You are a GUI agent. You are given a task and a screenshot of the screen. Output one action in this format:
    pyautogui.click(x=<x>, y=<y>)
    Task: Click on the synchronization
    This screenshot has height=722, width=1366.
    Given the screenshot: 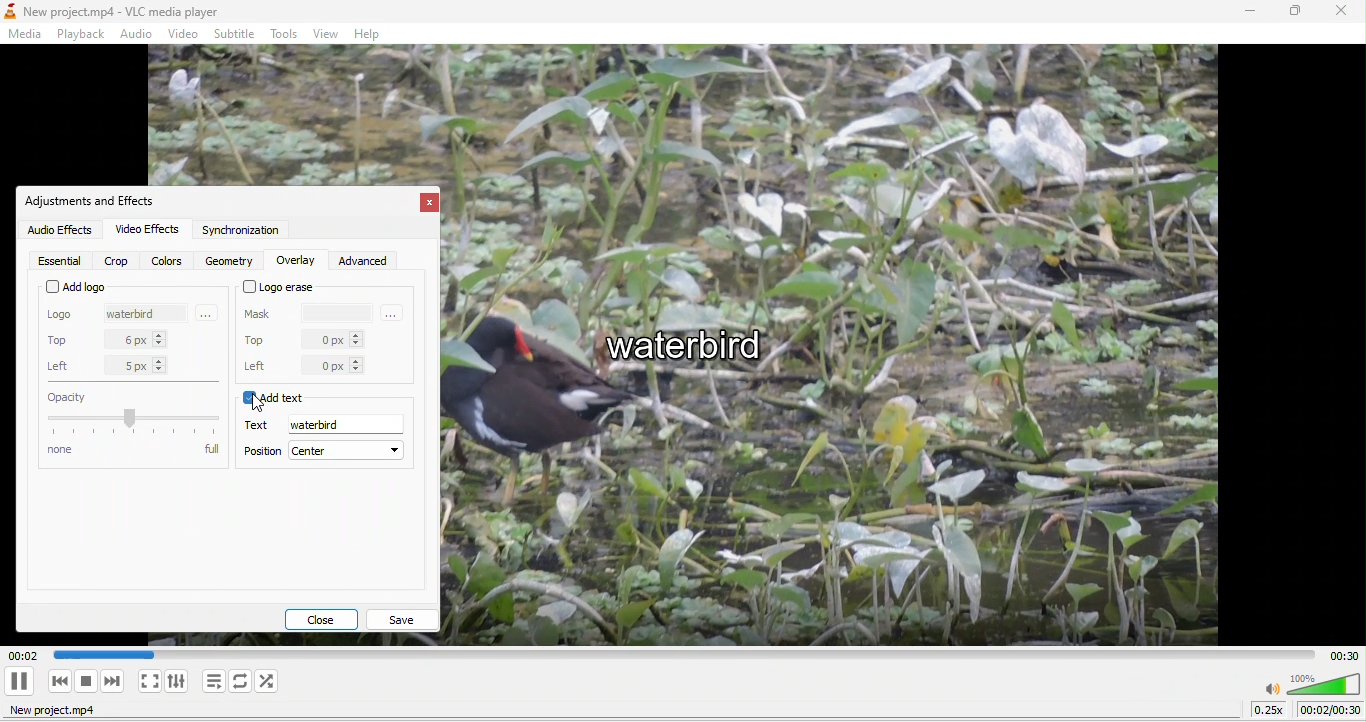 What is the action you would take?
    pyautogui.click(x=241, y=232)
    